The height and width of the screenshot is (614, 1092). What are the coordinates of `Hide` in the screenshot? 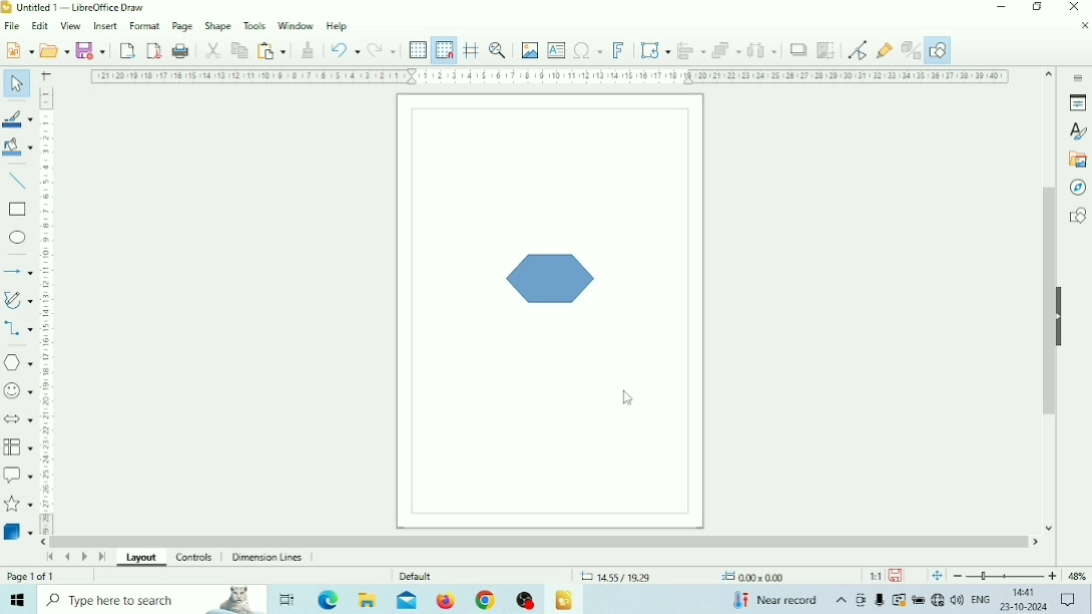 It's located at (1062, 314).